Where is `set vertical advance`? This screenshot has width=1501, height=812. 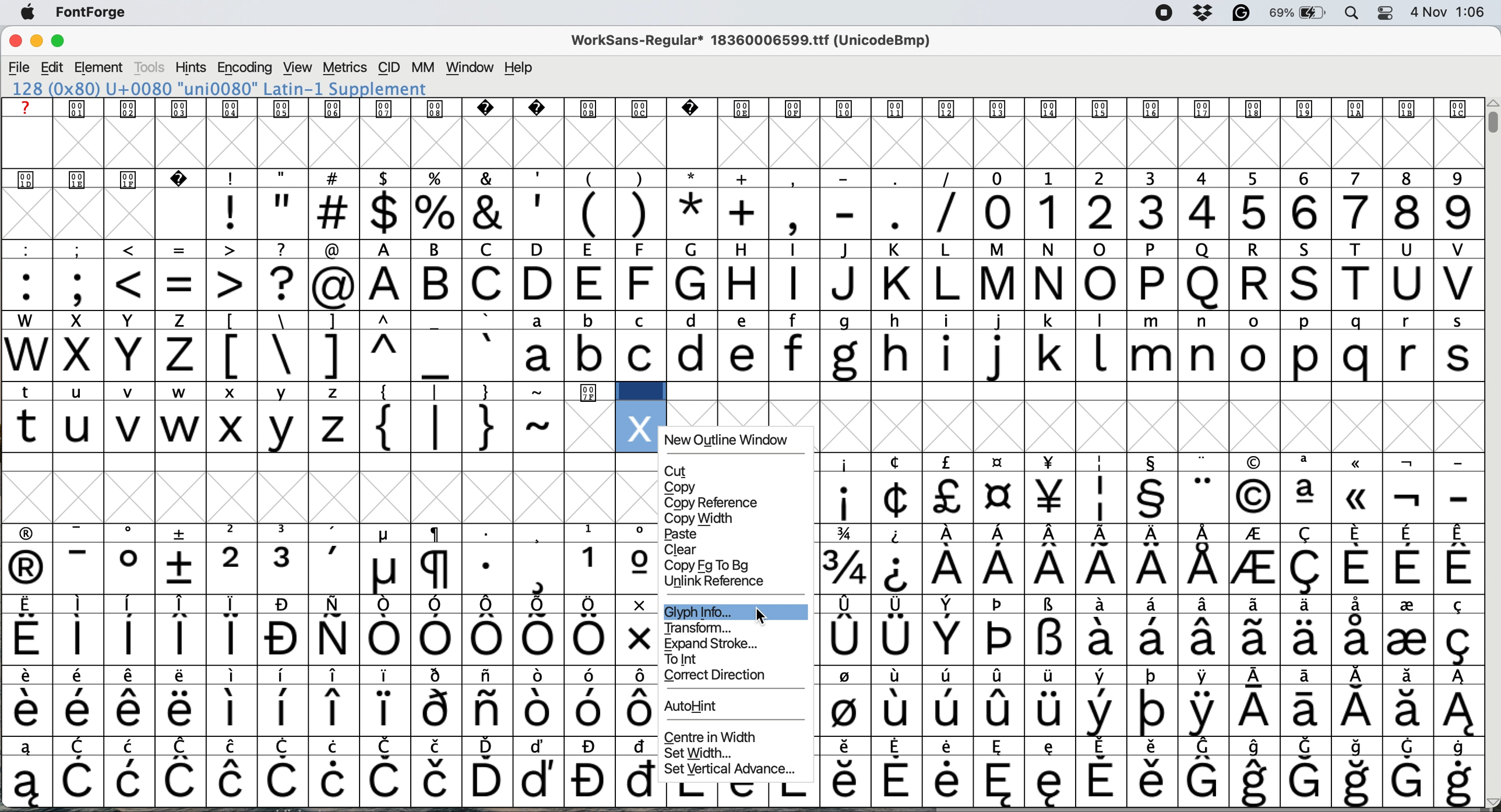 set vertical advance is located at coordinates (737, 769).